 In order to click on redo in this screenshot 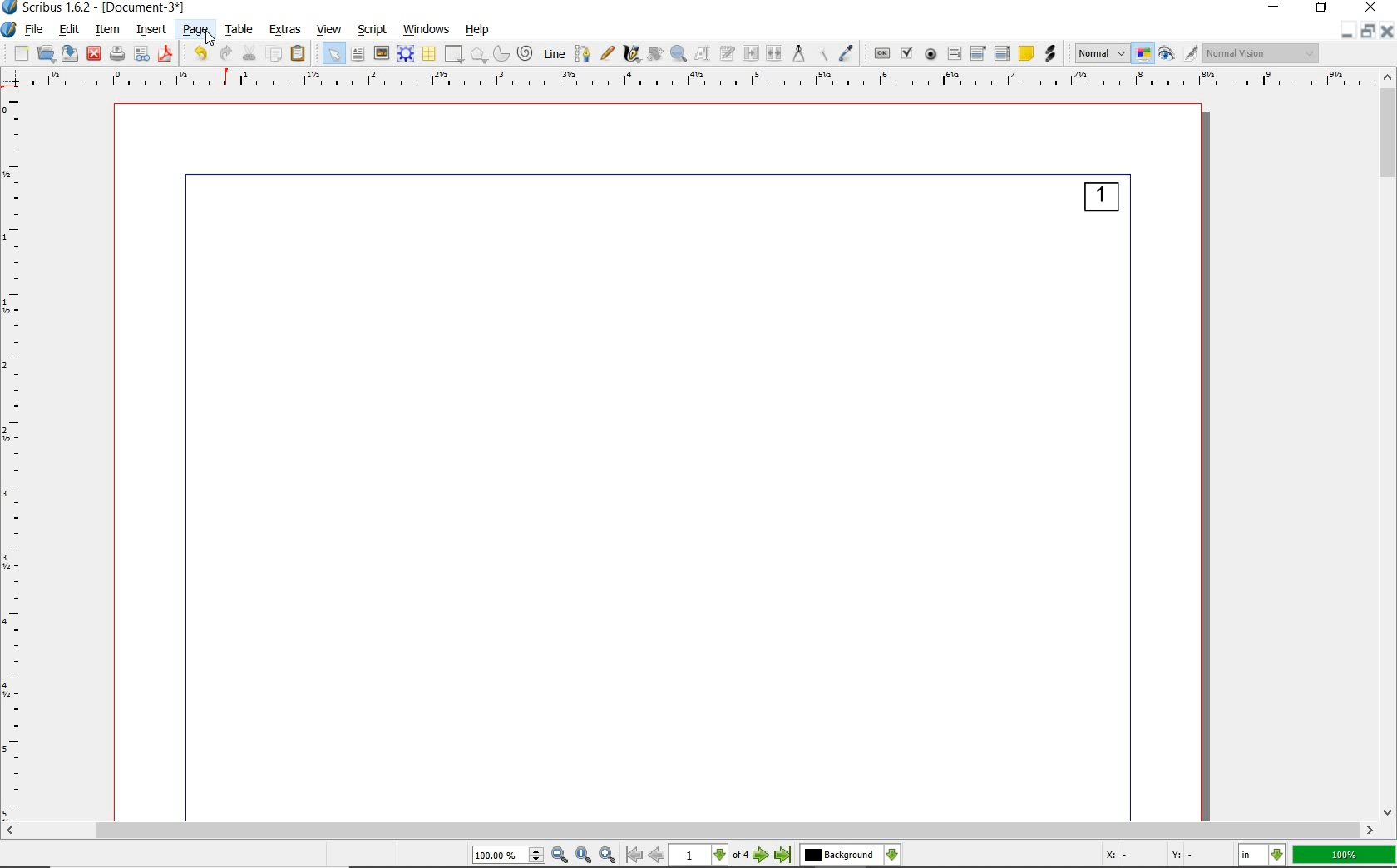, I will do `click(225, 54)`.